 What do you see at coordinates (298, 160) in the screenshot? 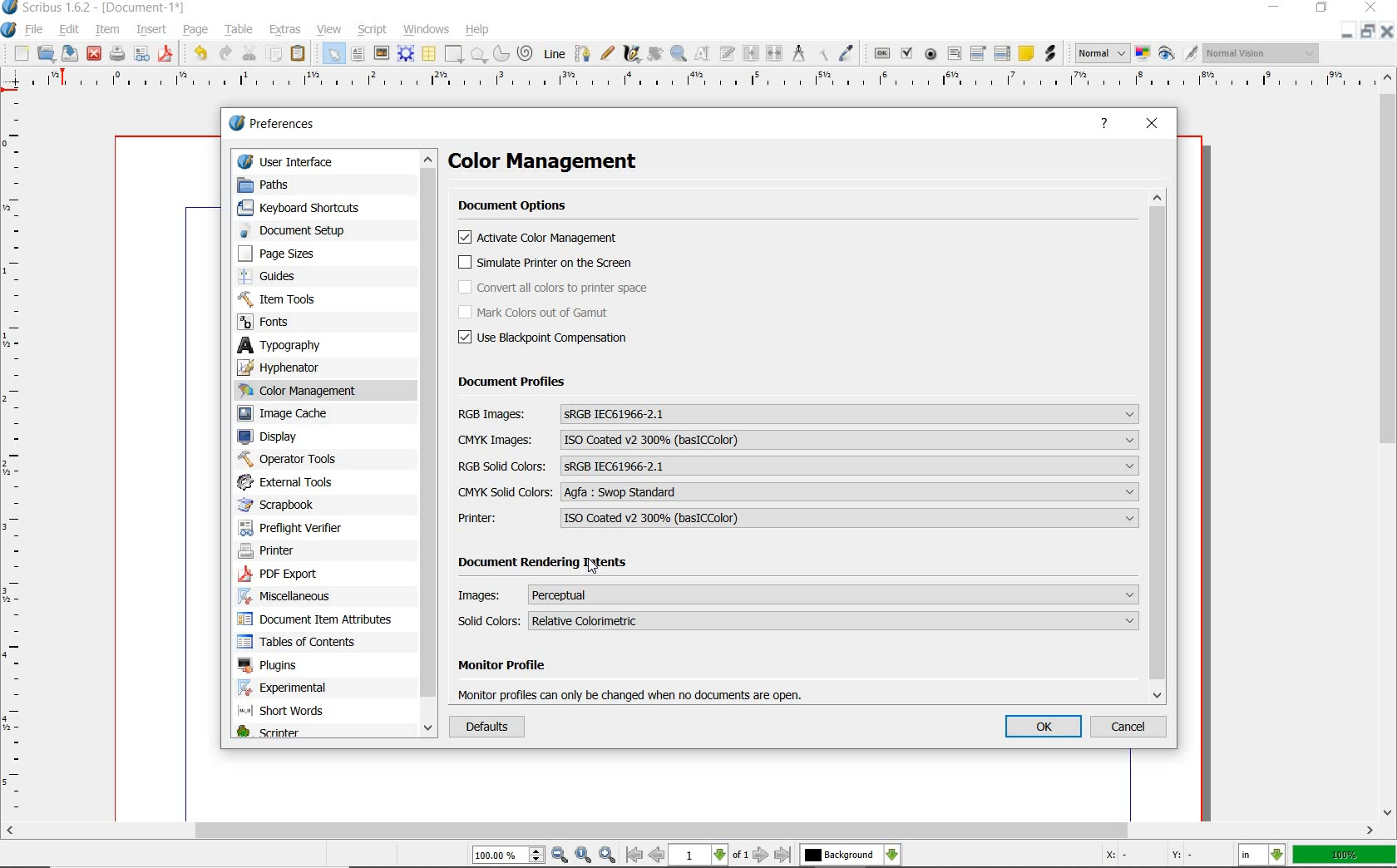
I see `user interface` at bounding box center [298, 160].